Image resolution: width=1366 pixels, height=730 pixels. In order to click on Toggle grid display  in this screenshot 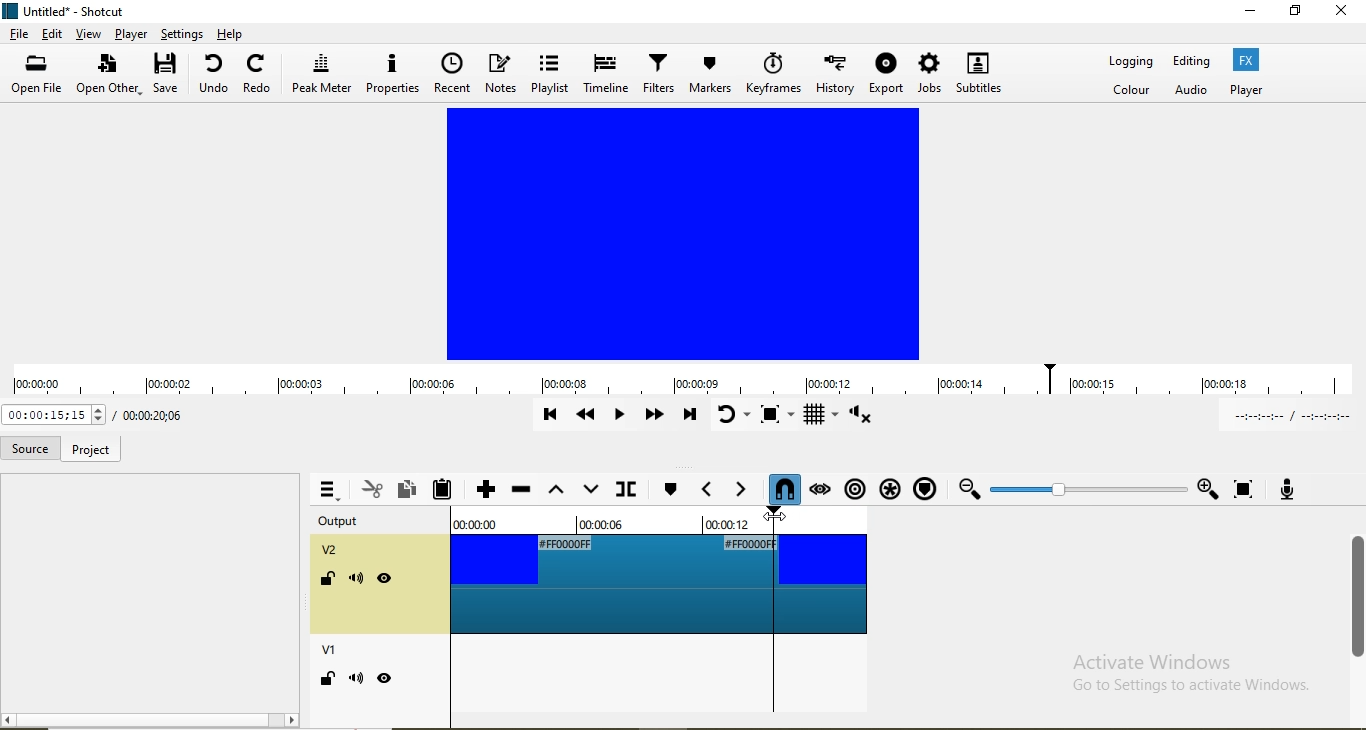, I will do `click(824, 419)`.